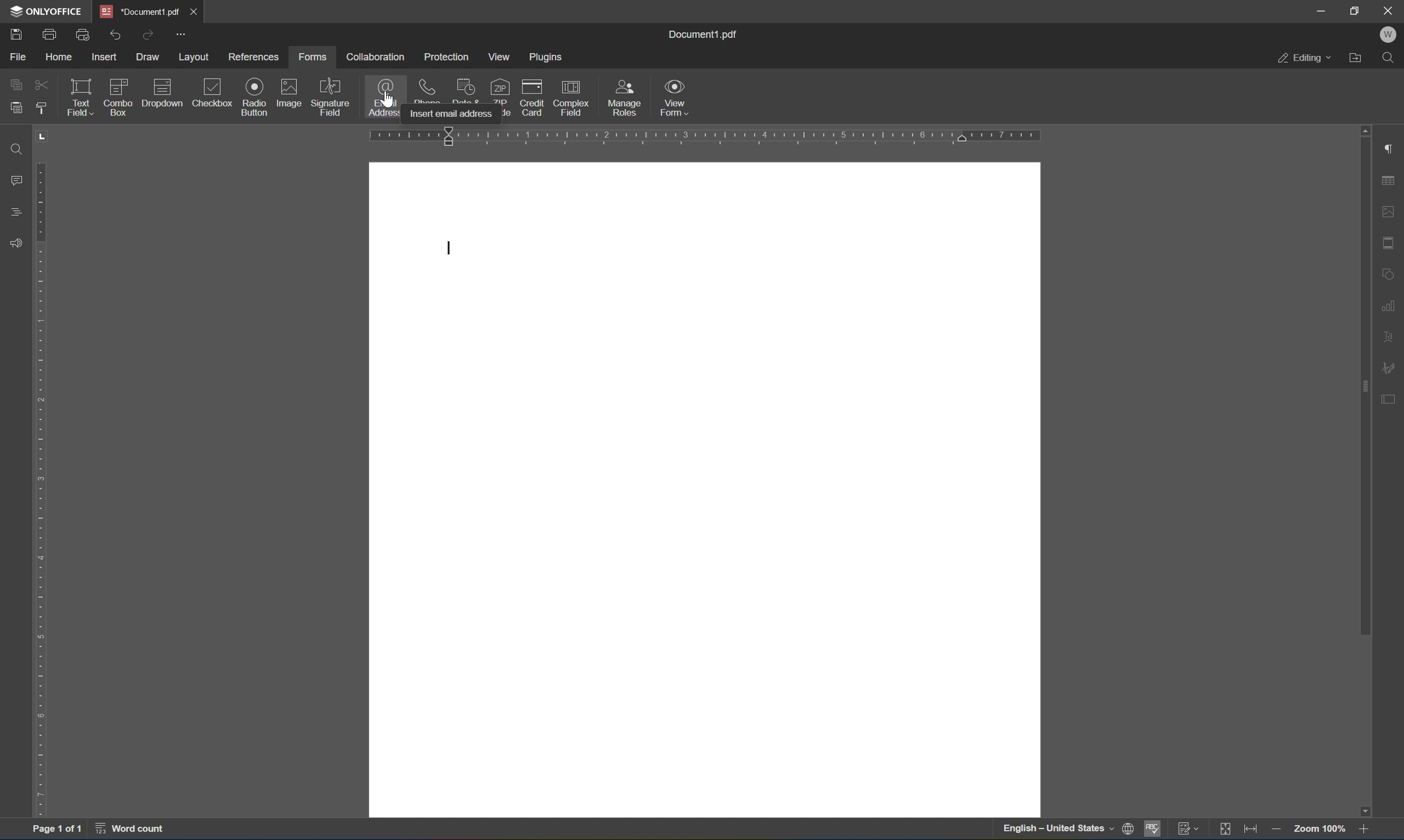  Describe the element at coordinates (1391, 209) in the screenshot. I see `image settings` at that location.